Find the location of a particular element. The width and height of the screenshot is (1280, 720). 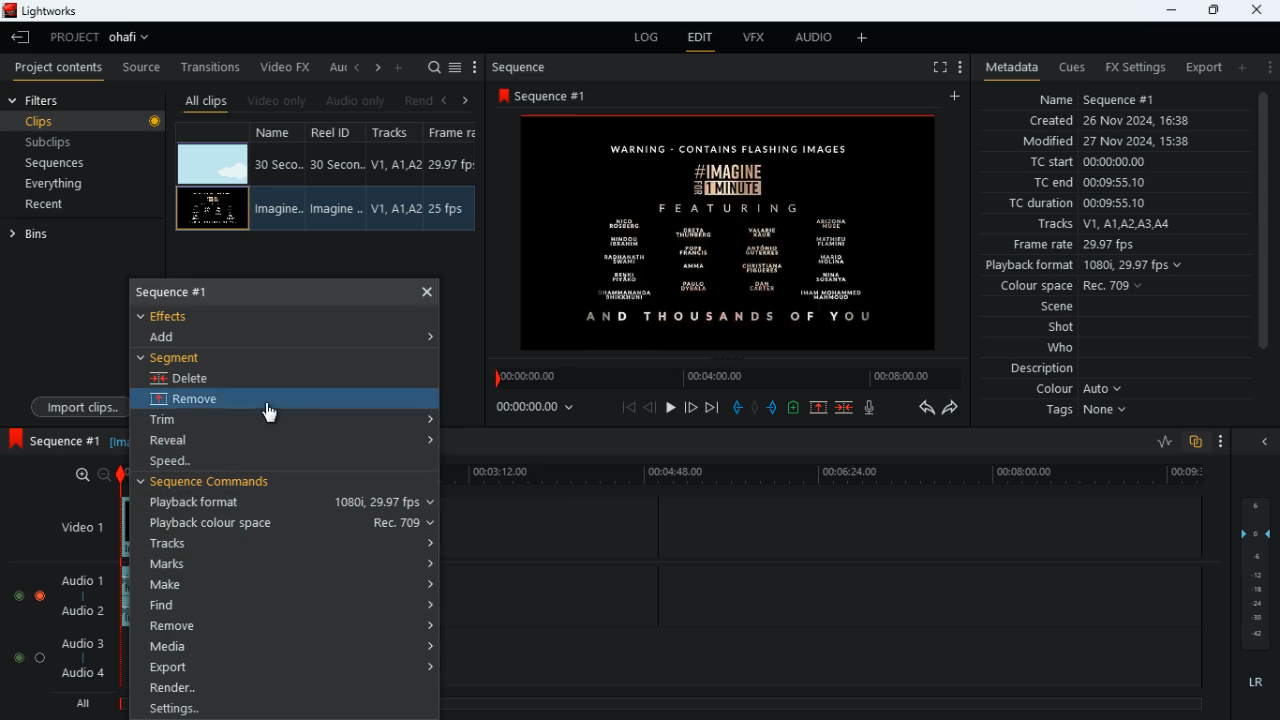

render is located at coordinates (289, 689).